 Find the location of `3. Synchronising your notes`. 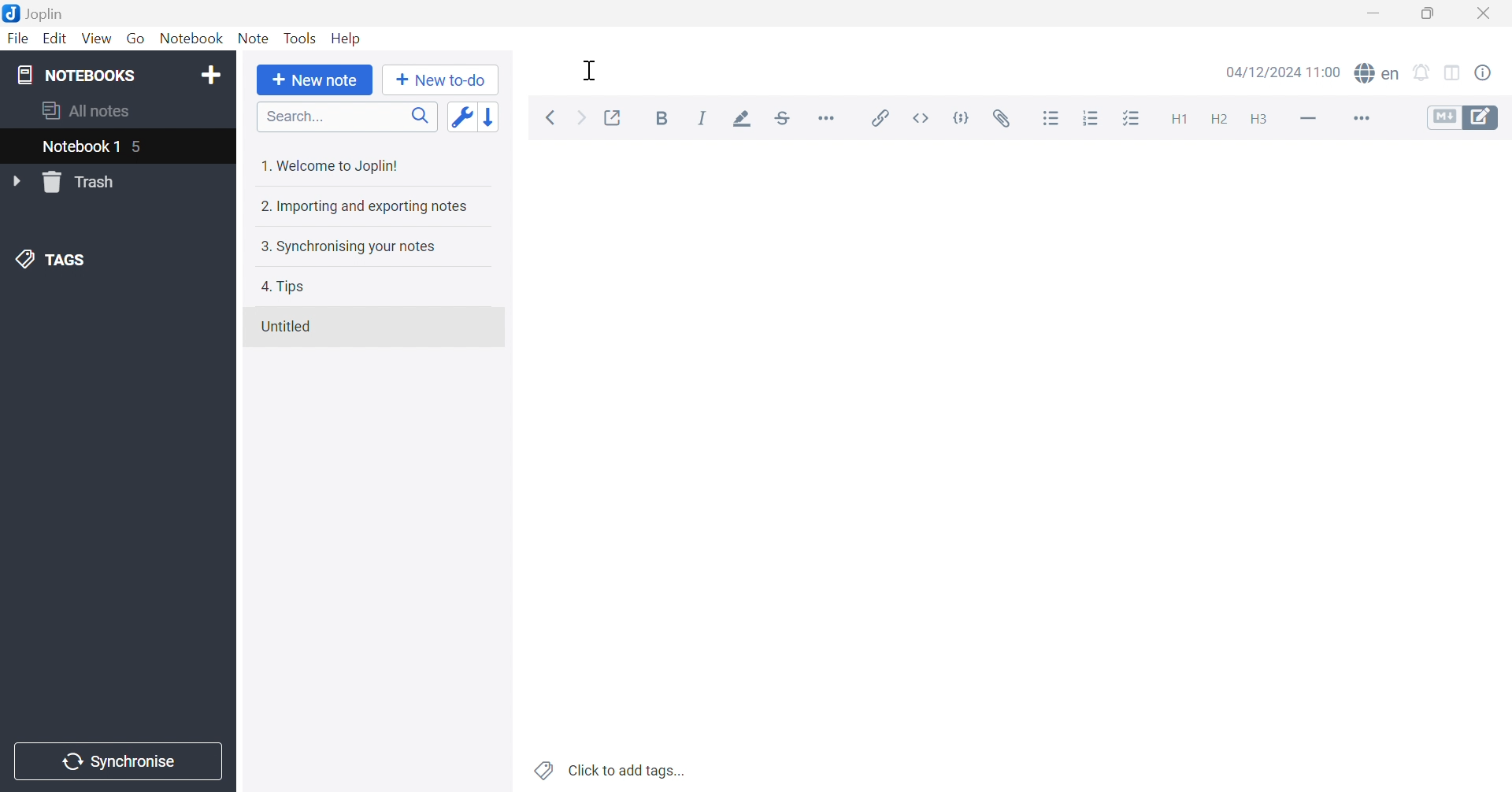

3. Synchronising your notes is located at coordinates (350, 247).